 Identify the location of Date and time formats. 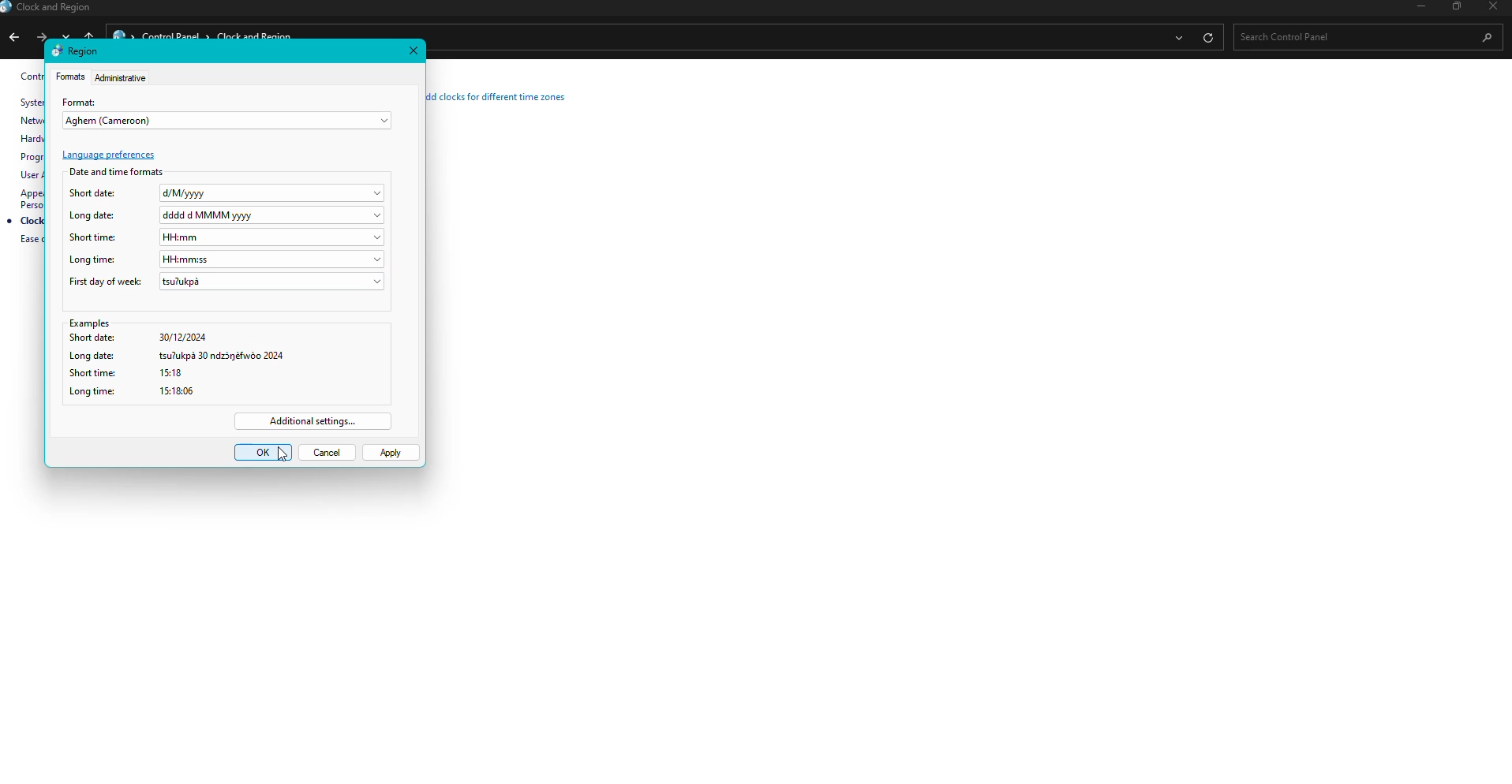
(118, 171).